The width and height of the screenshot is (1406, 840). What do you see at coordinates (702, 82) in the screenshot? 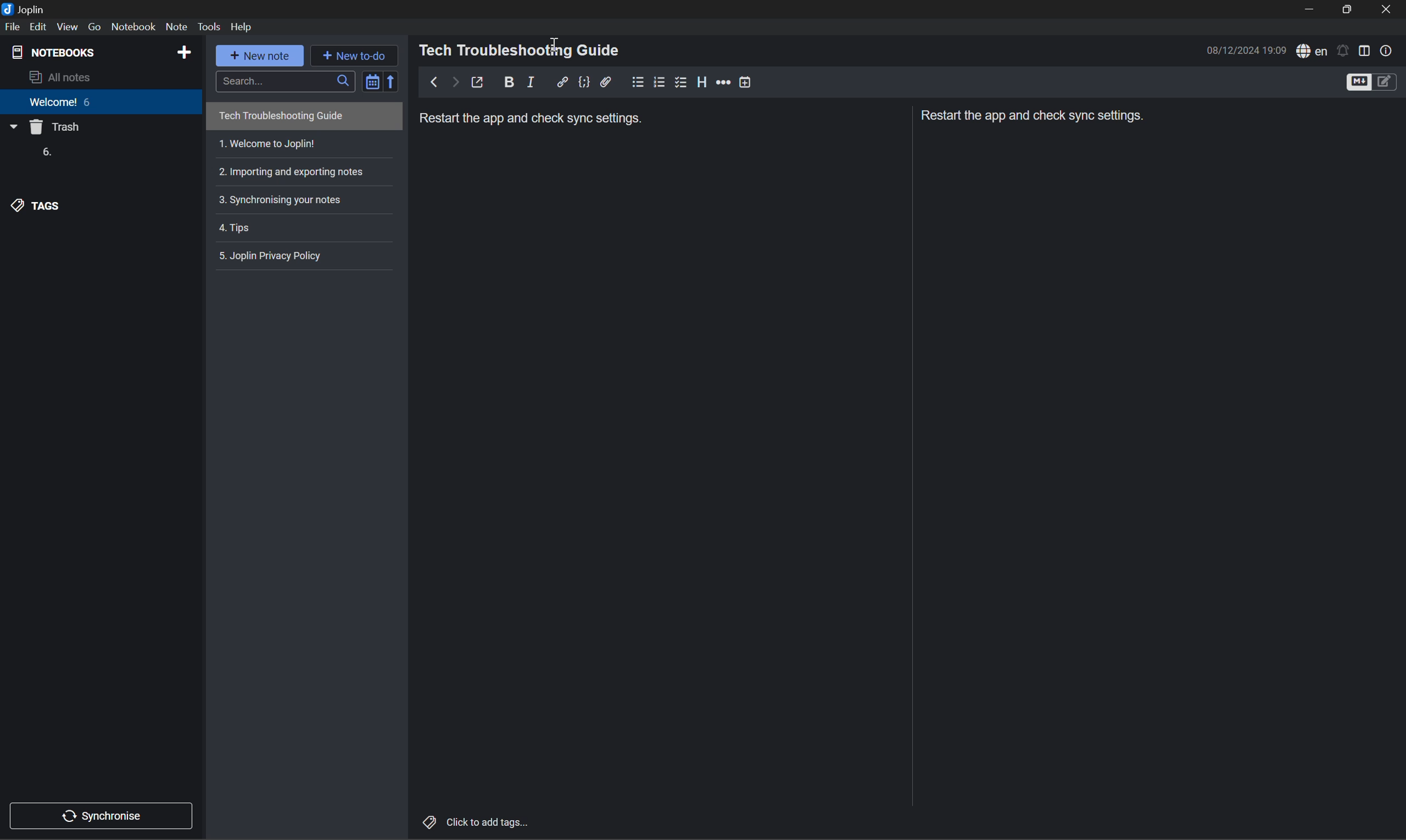
I see `Heading` at bounding box center [702, 82].